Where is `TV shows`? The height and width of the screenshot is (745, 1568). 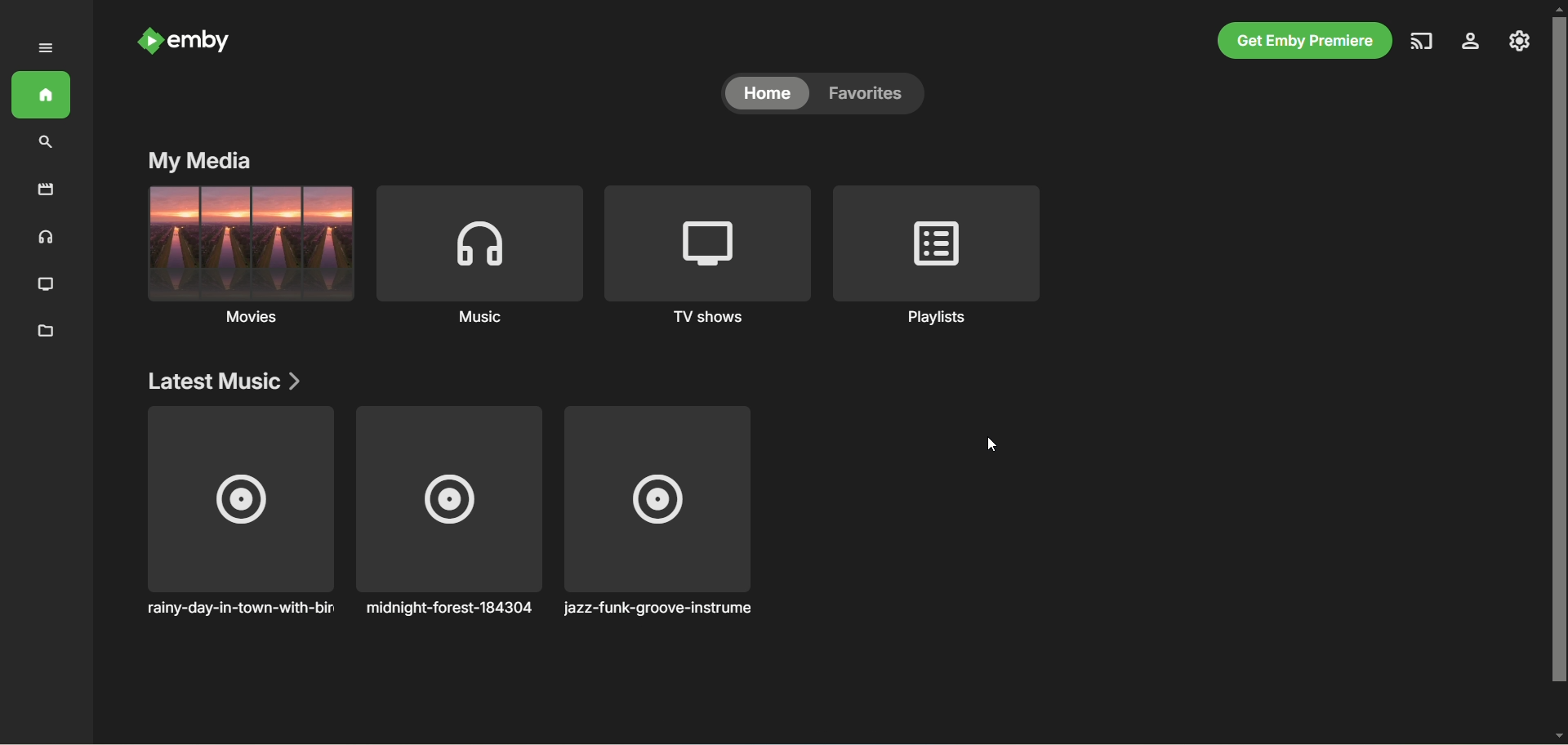
TV shows is located at coordinates (709, 258).